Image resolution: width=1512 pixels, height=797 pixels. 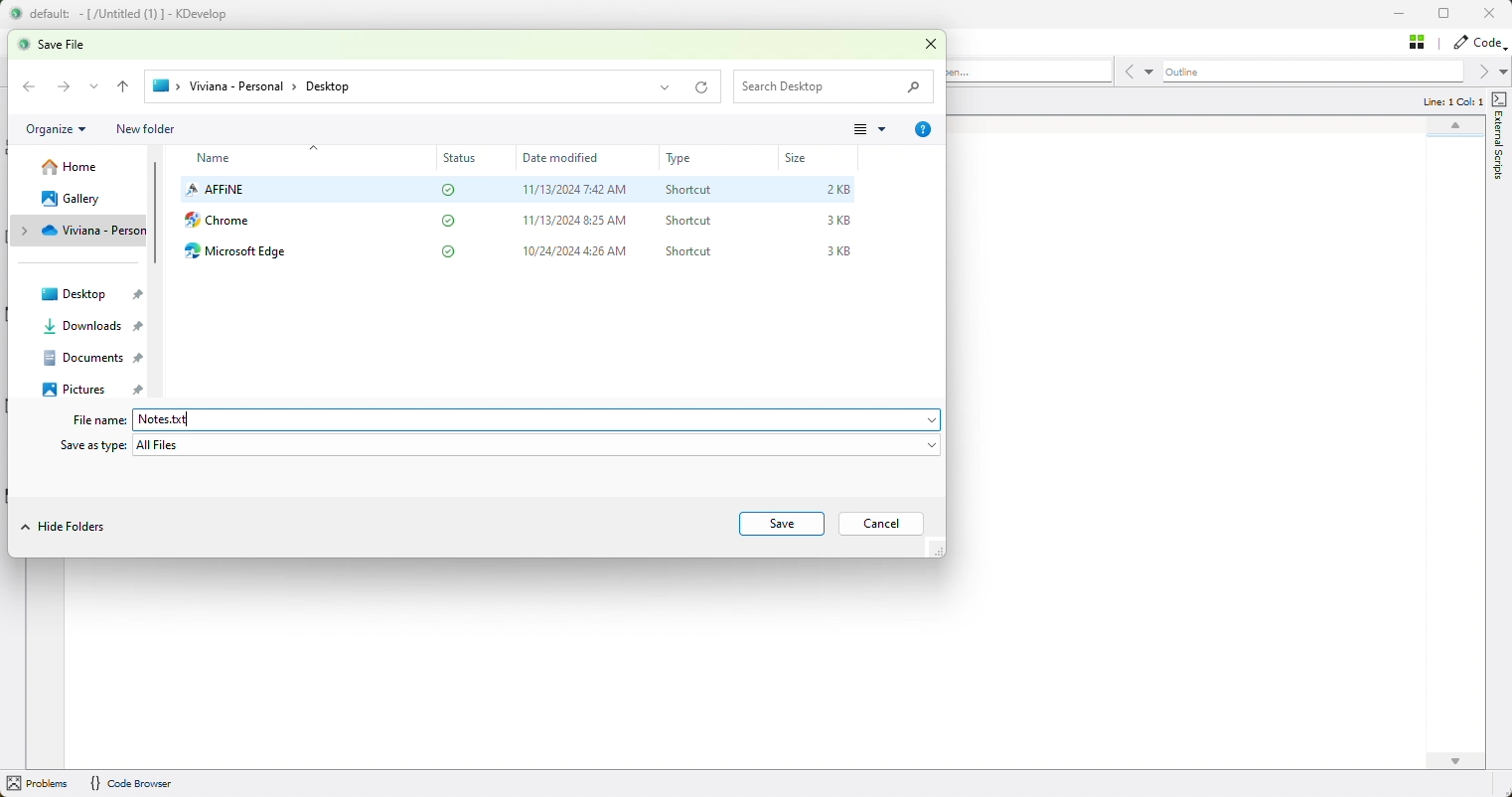 What do you see at coordinates (157, 215) in the screenshot?
I see `vertical scroll bar` at bounding box center [157, 215].